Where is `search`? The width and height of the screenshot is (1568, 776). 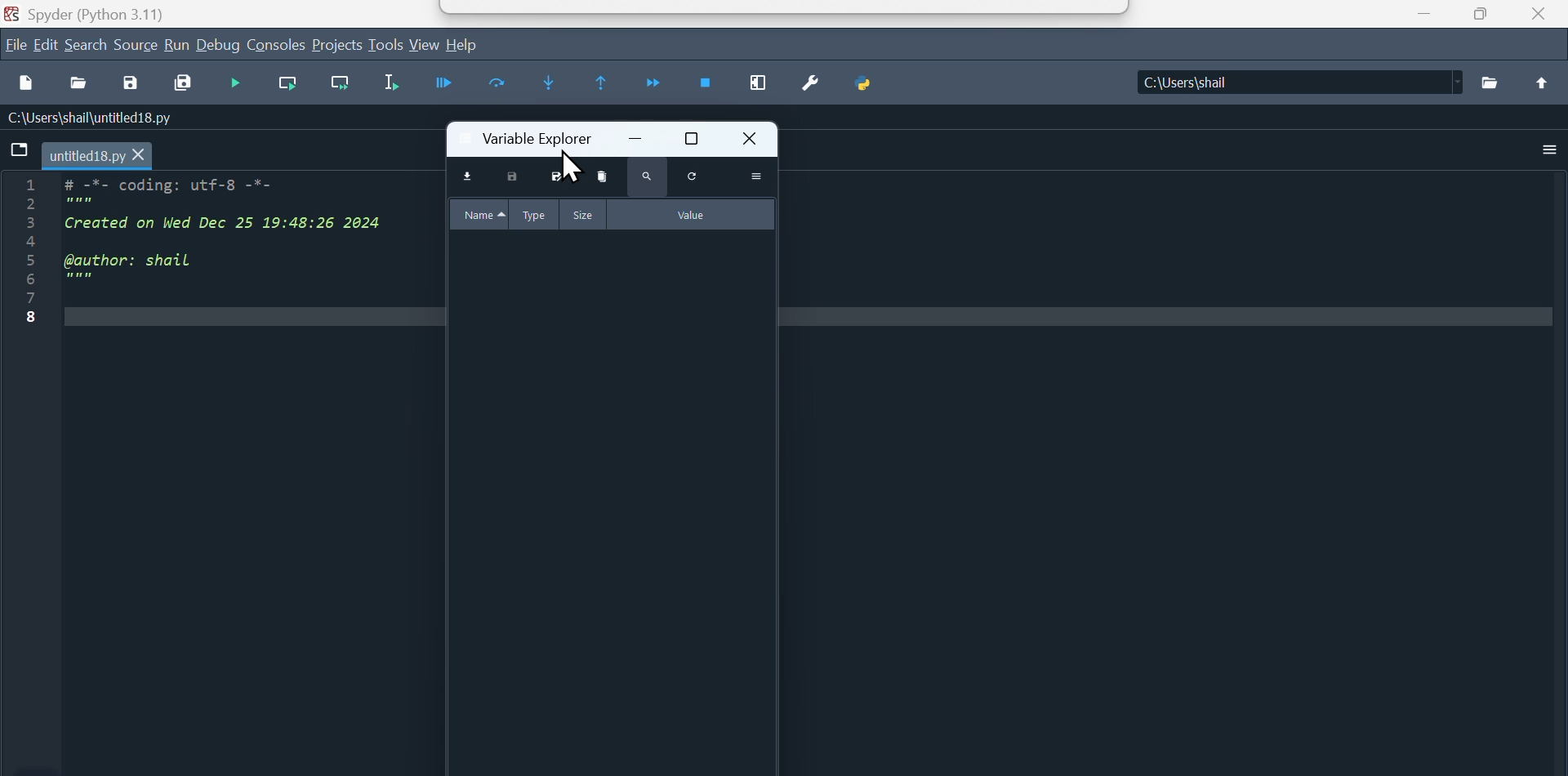 search is located at coordinates (647, 178).